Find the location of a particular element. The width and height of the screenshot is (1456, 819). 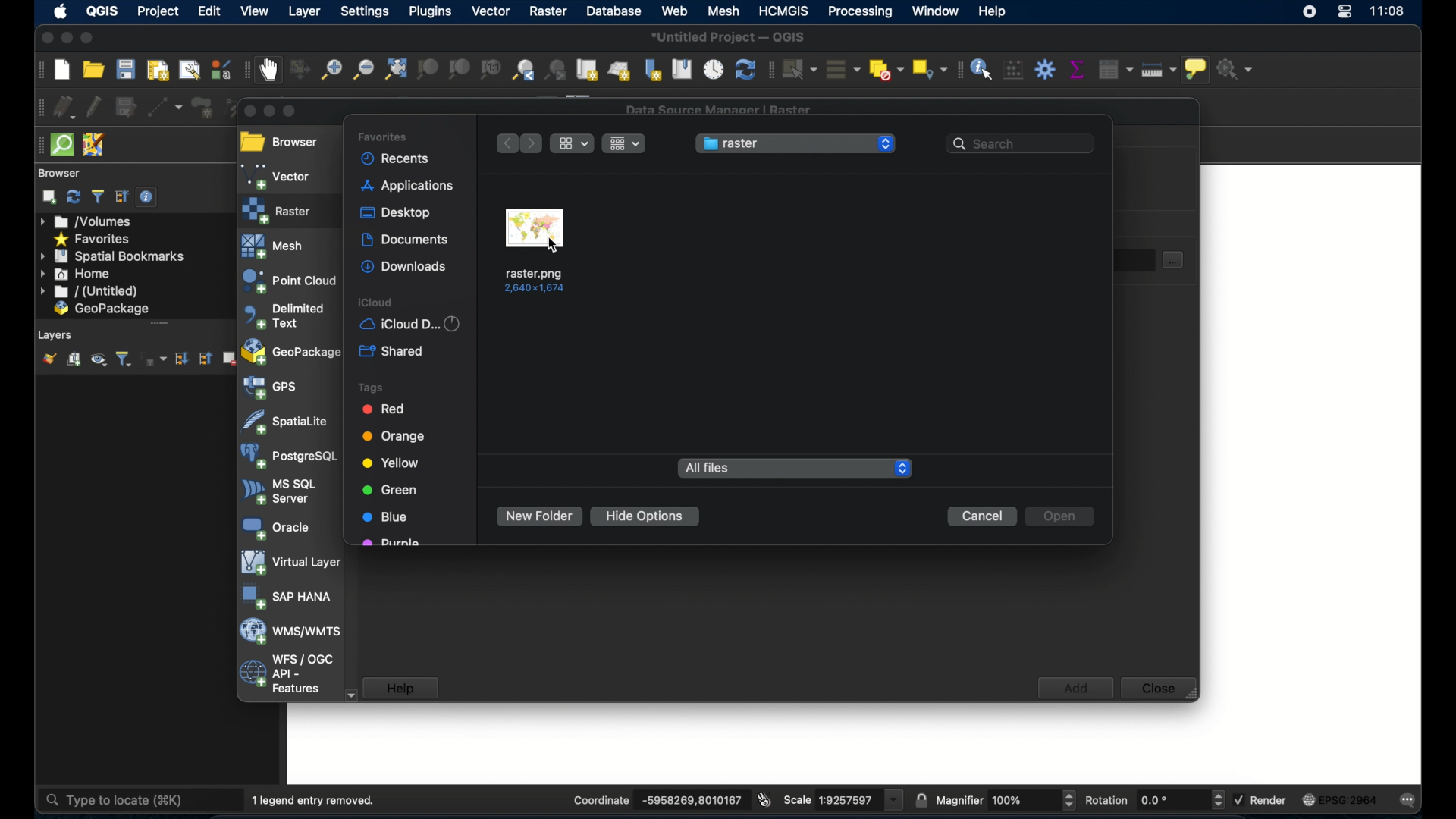

desktop is located at coordinates (397, 212).